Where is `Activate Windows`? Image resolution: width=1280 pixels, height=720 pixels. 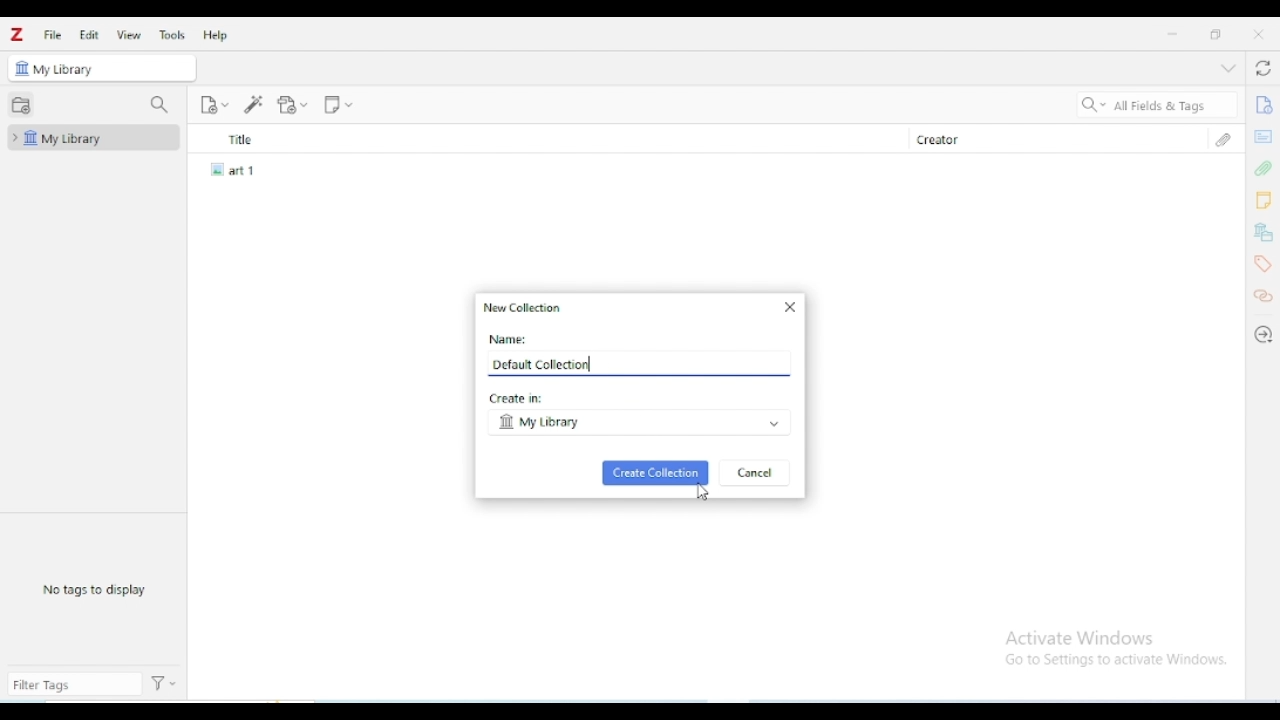
Activate Windows is located at coordinates (1082, 639).